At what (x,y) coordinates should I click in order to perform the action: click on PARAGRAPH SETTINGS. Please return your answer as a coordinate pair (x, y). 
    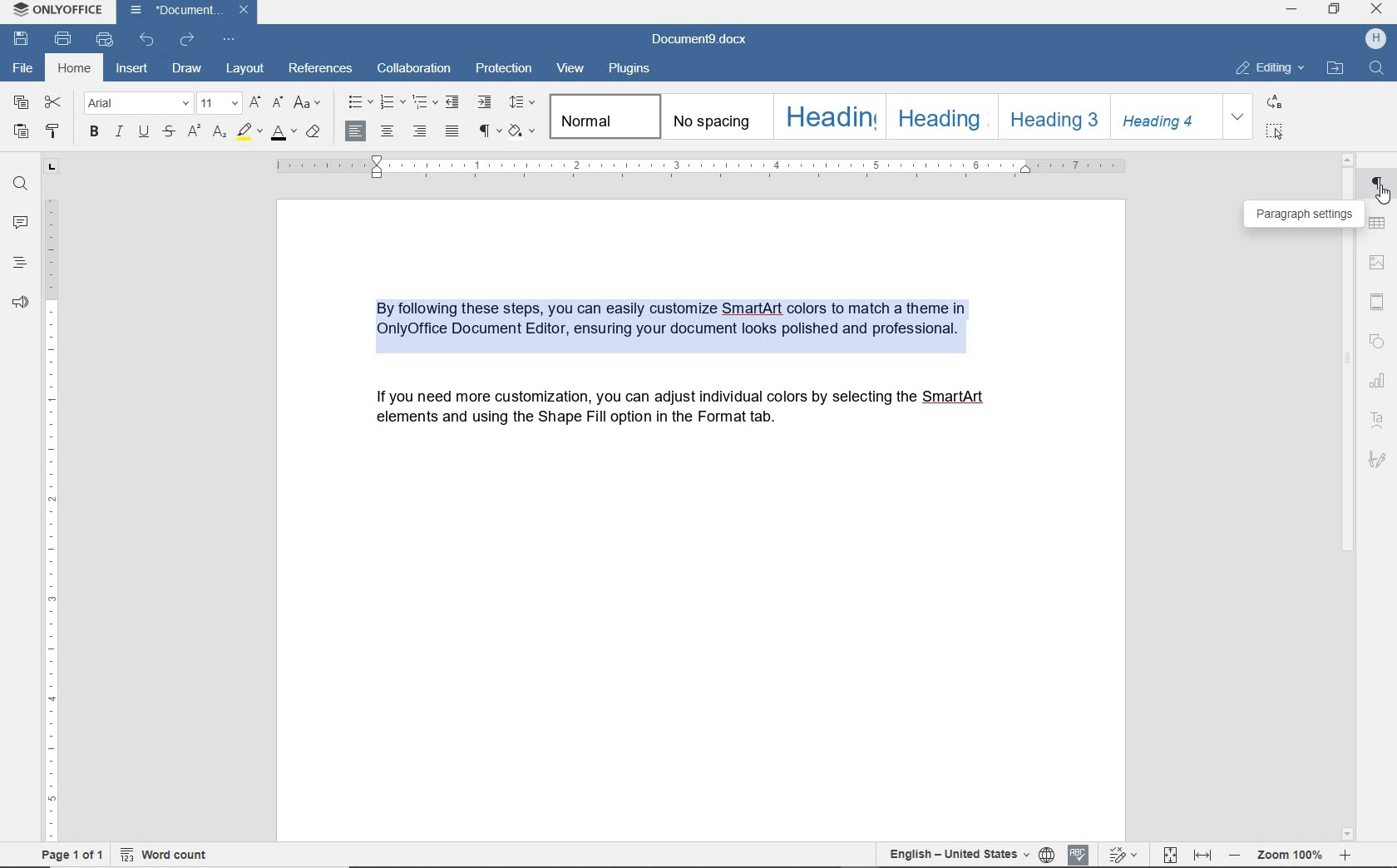
    Looking at the image, I should click on (1291, 216).